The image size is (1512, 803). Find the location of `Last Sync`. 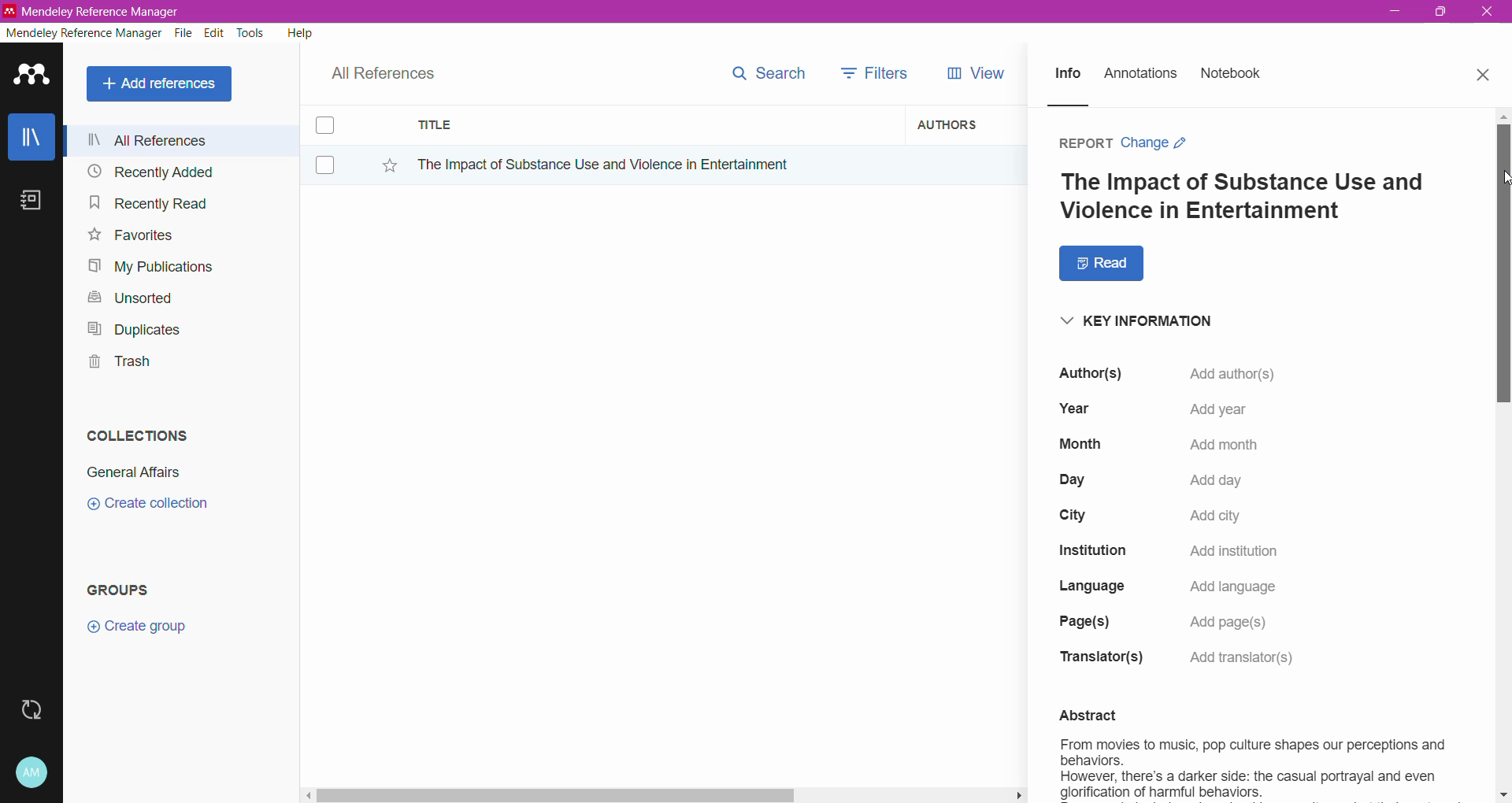

Last Sync is located at coordinates (38, 708).